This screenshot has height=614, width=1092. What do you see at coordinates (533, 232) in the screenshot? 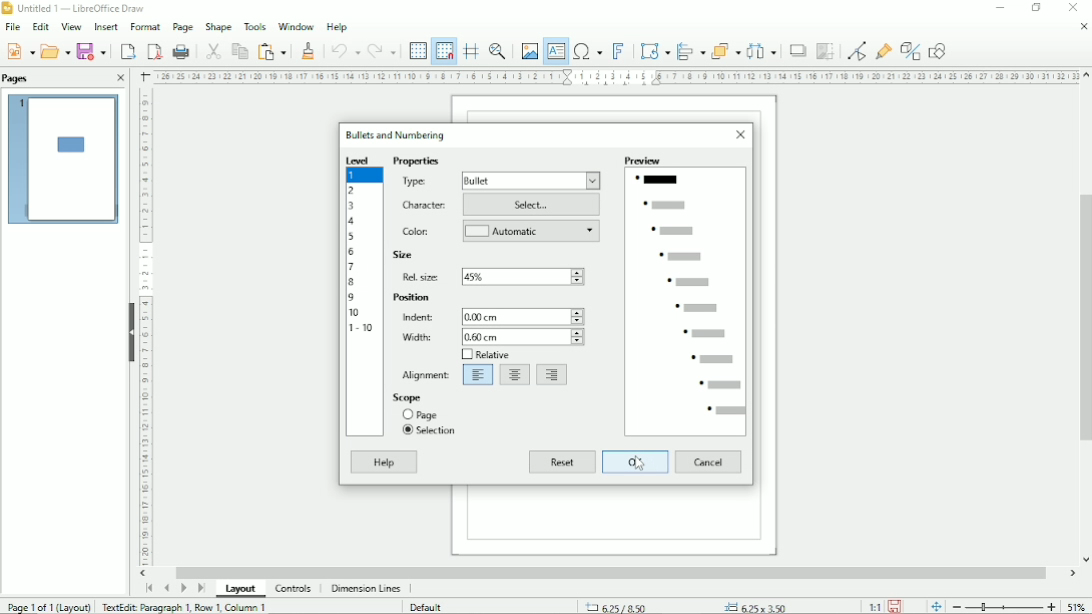
I see `Automatic` at bounding box center [533, 232].